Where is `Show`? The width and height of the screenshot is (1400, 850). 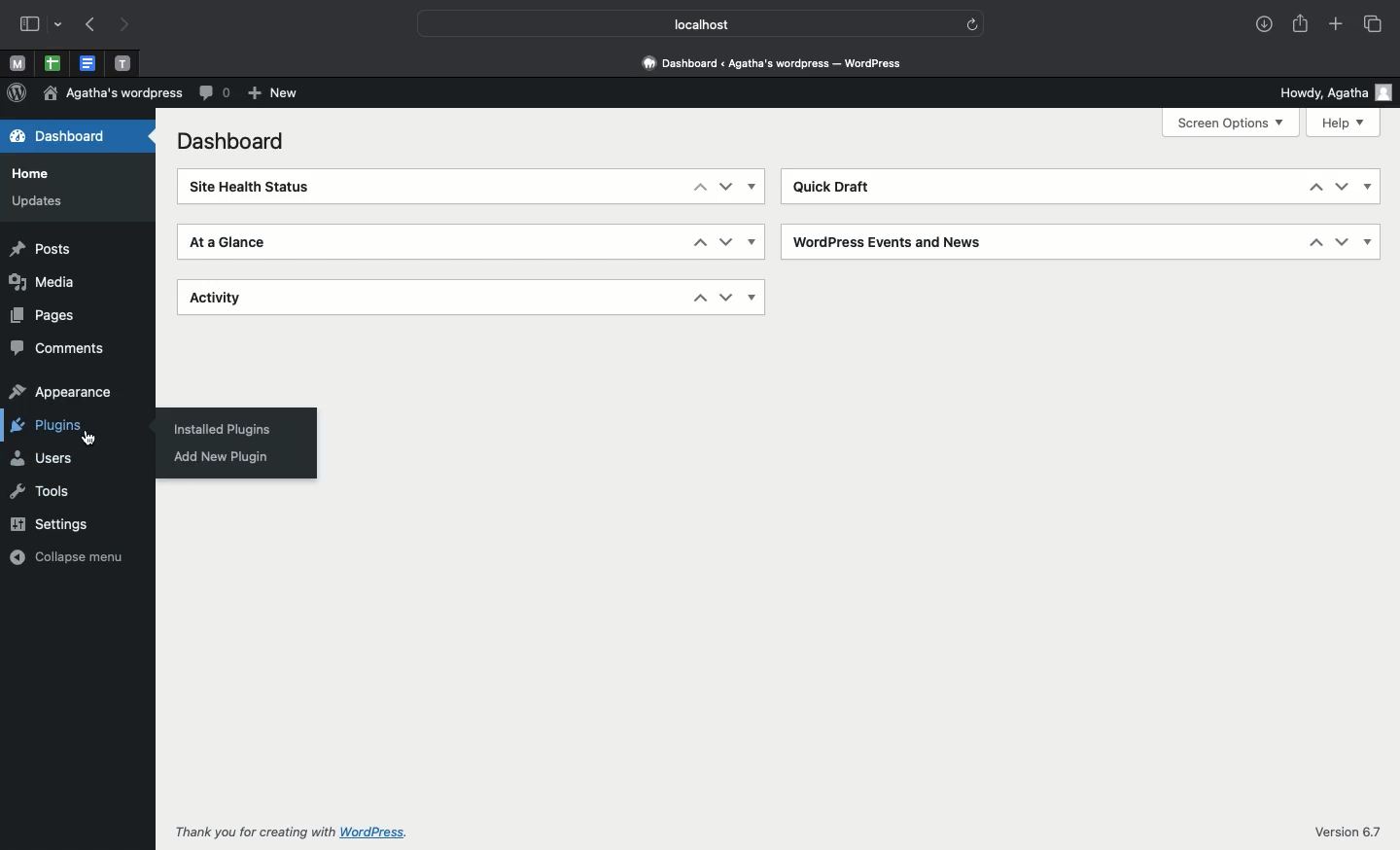
Show is located at coordinates (1371, 186).